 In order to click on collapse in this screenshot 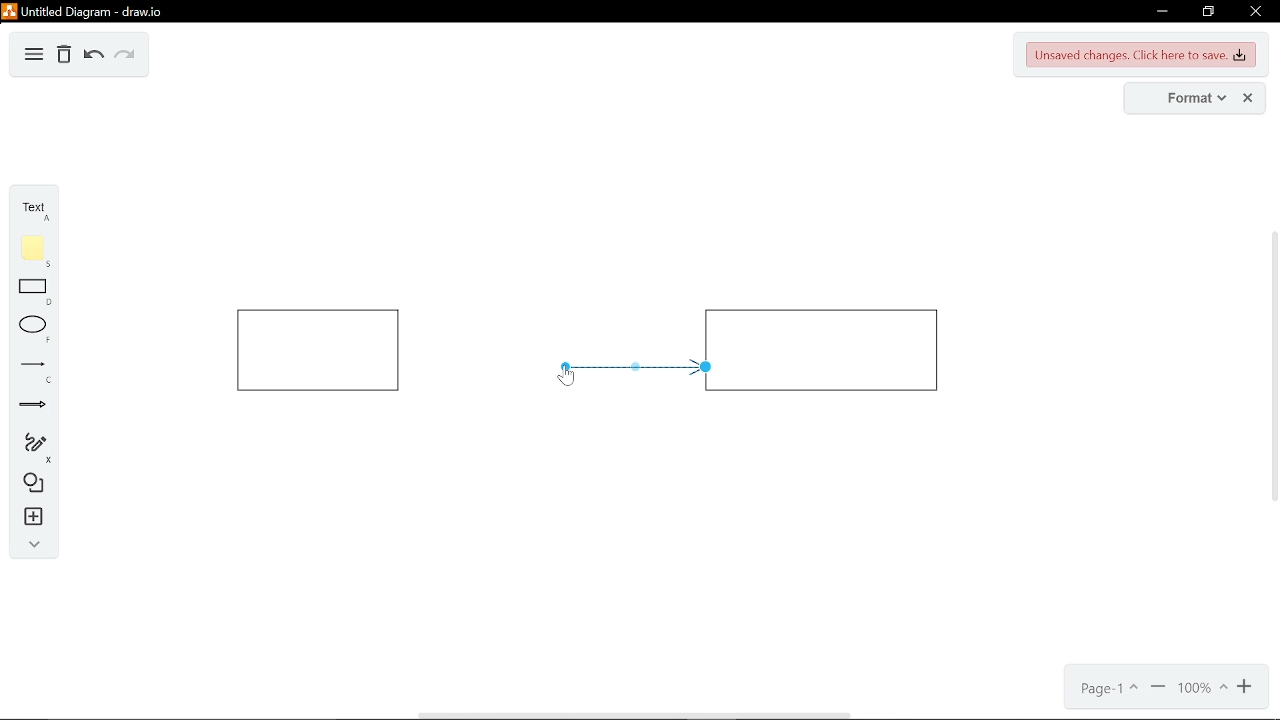, I will do `click(33, 544)`.